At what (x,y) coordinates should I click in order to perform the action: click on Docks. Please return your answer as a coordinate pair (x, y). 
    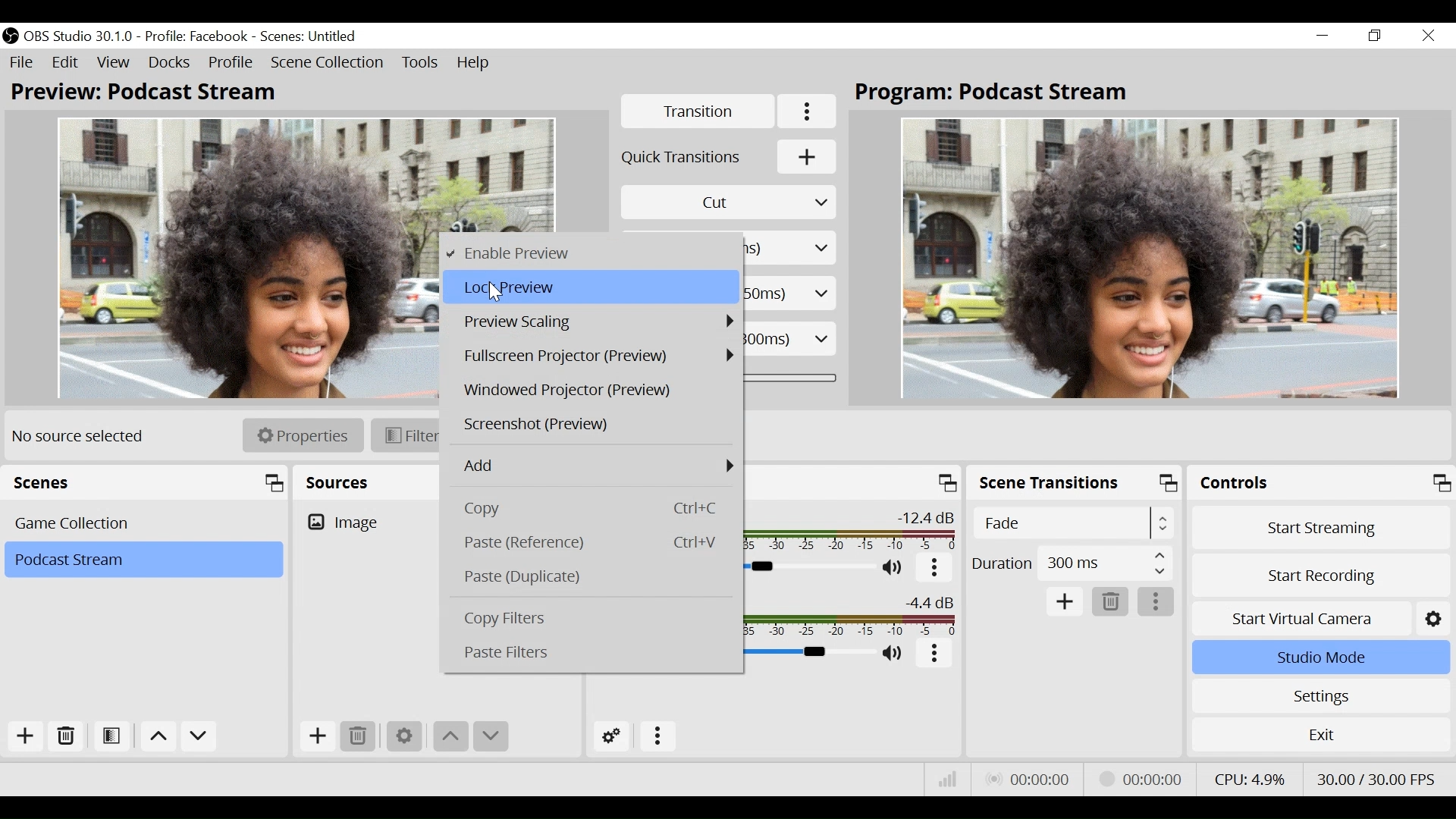
    Looking at the image, I should click on (170, 63).